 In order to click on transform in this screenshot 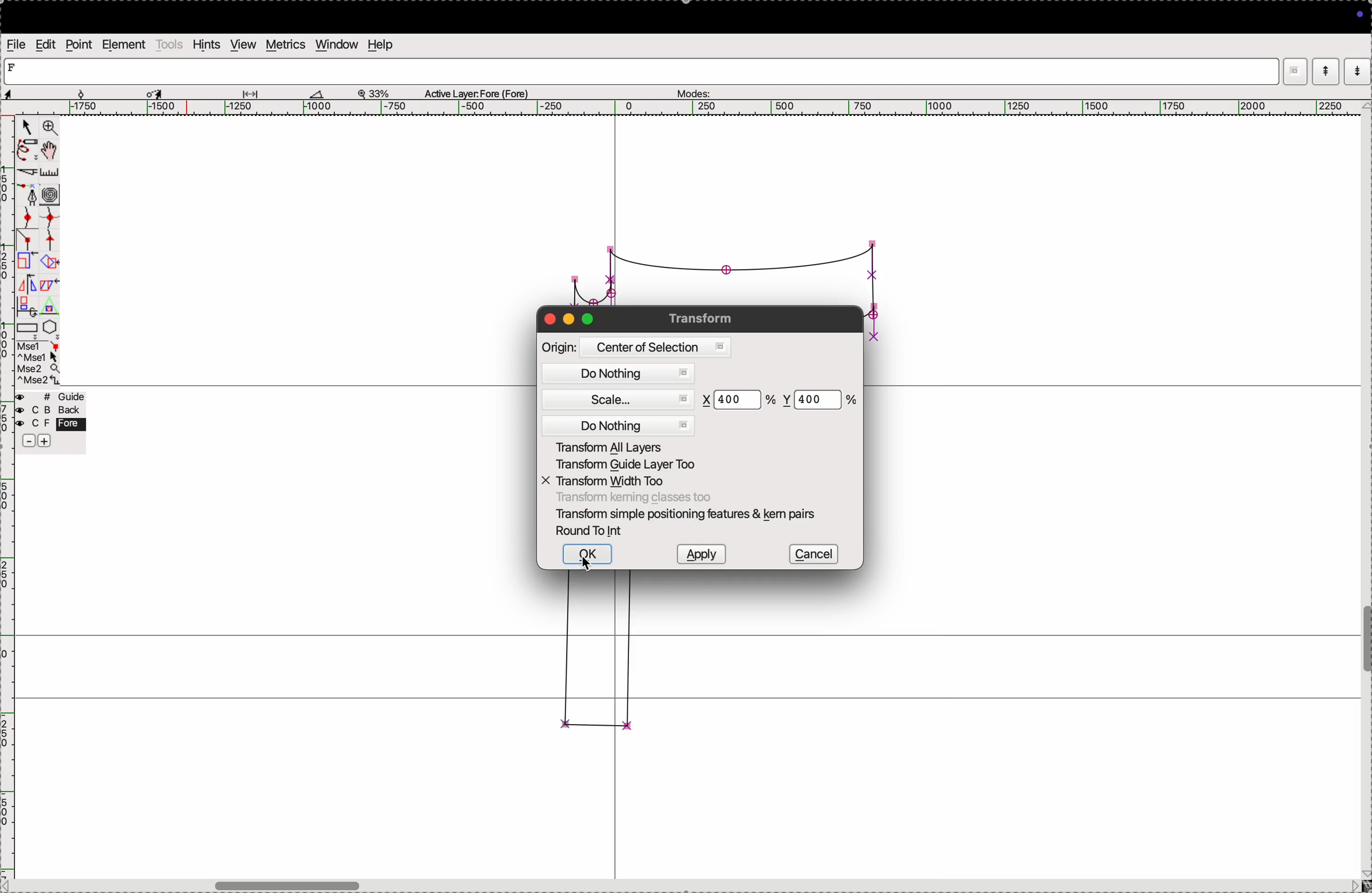, I will do `click(704, 318)`.